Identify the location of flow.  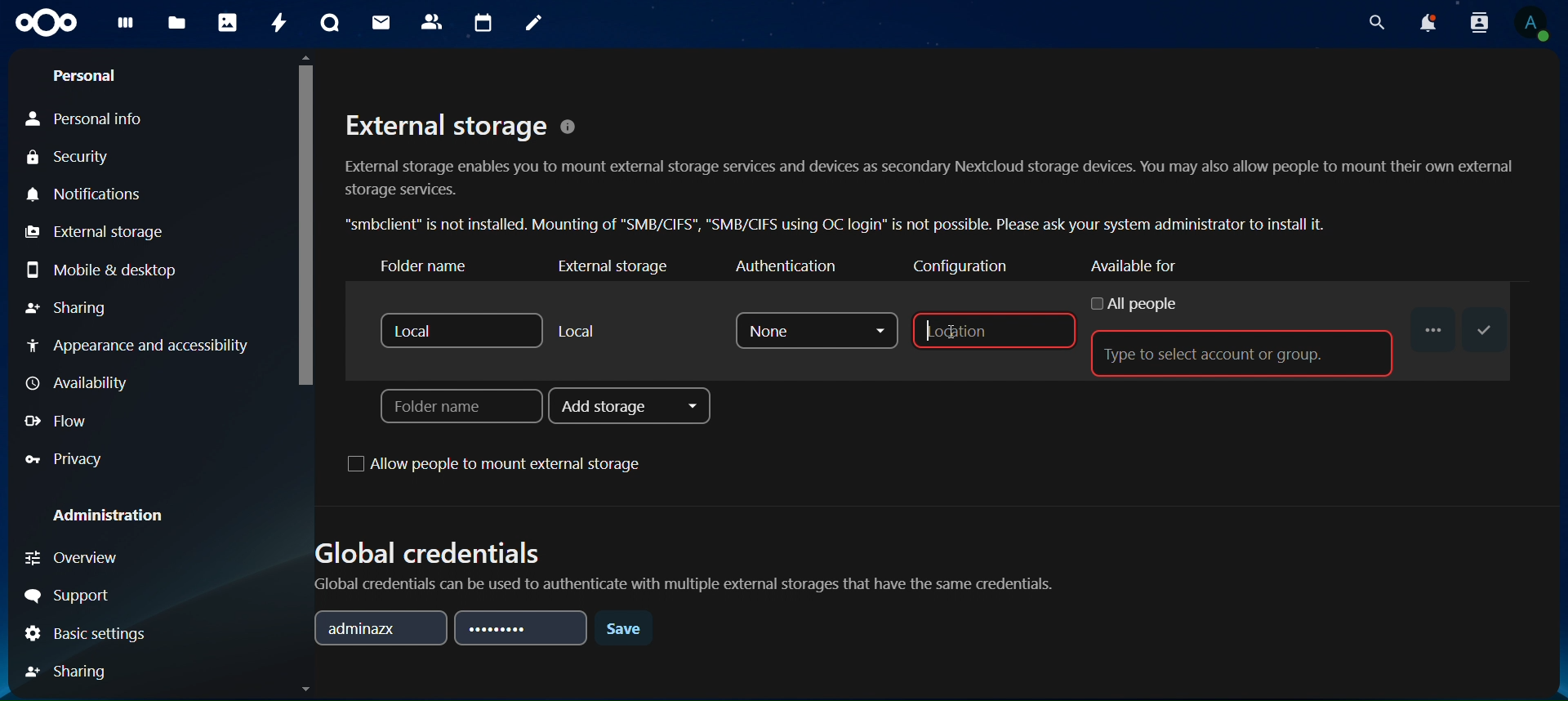
(60, 422).